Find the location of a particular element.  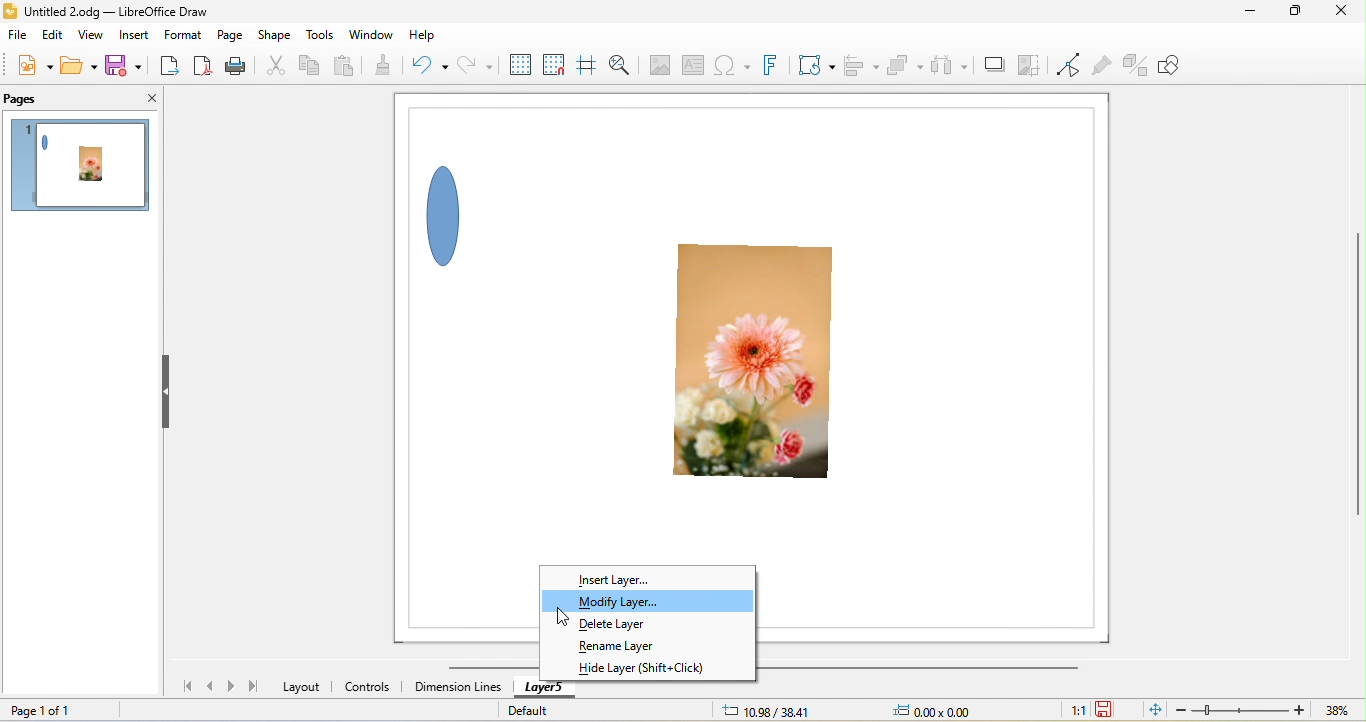

open is located at coordinates (76, 65).